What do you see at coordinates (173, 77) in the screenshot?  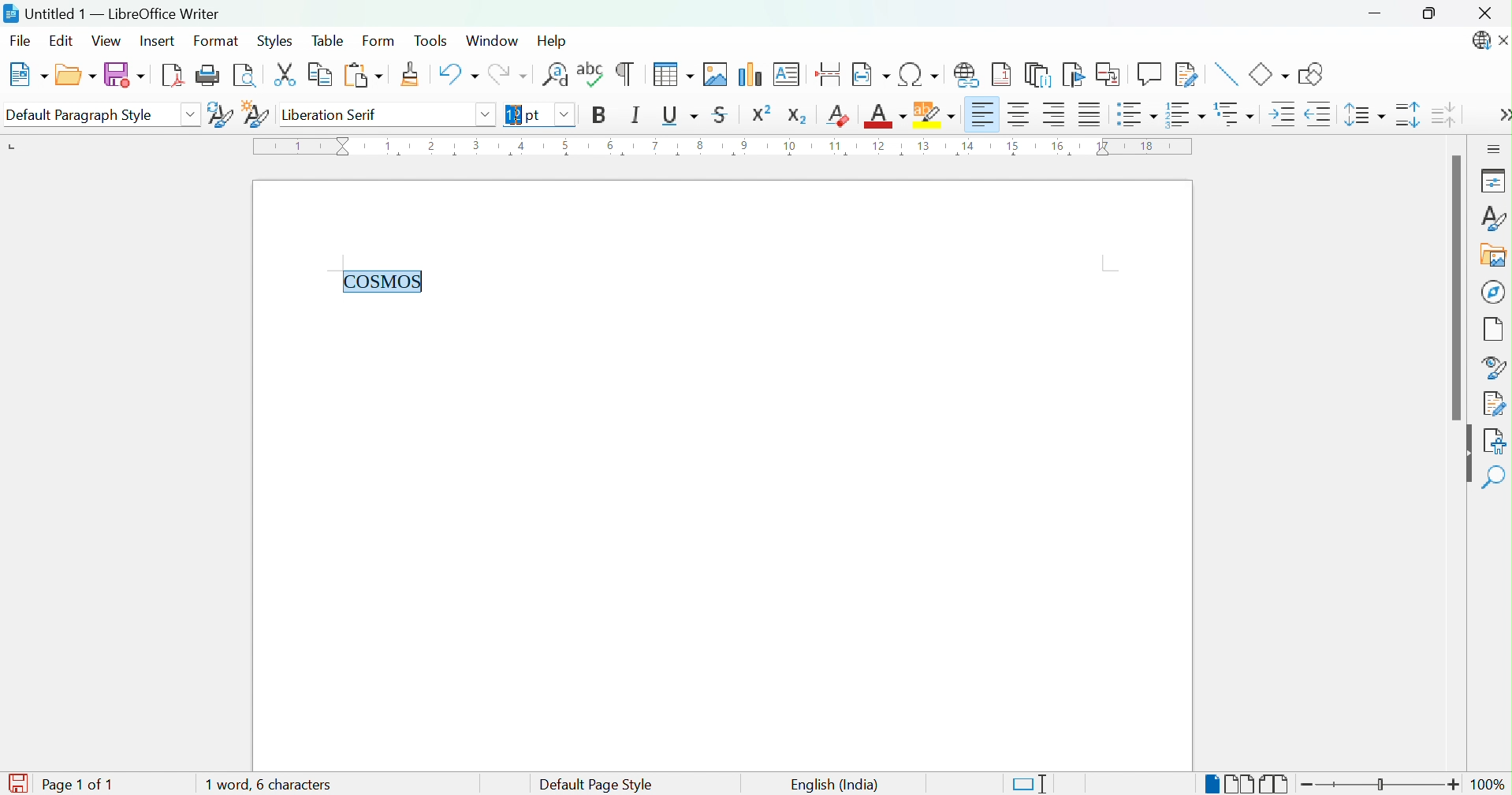 I see `Export as PDF` at bounding box center [173, 77].